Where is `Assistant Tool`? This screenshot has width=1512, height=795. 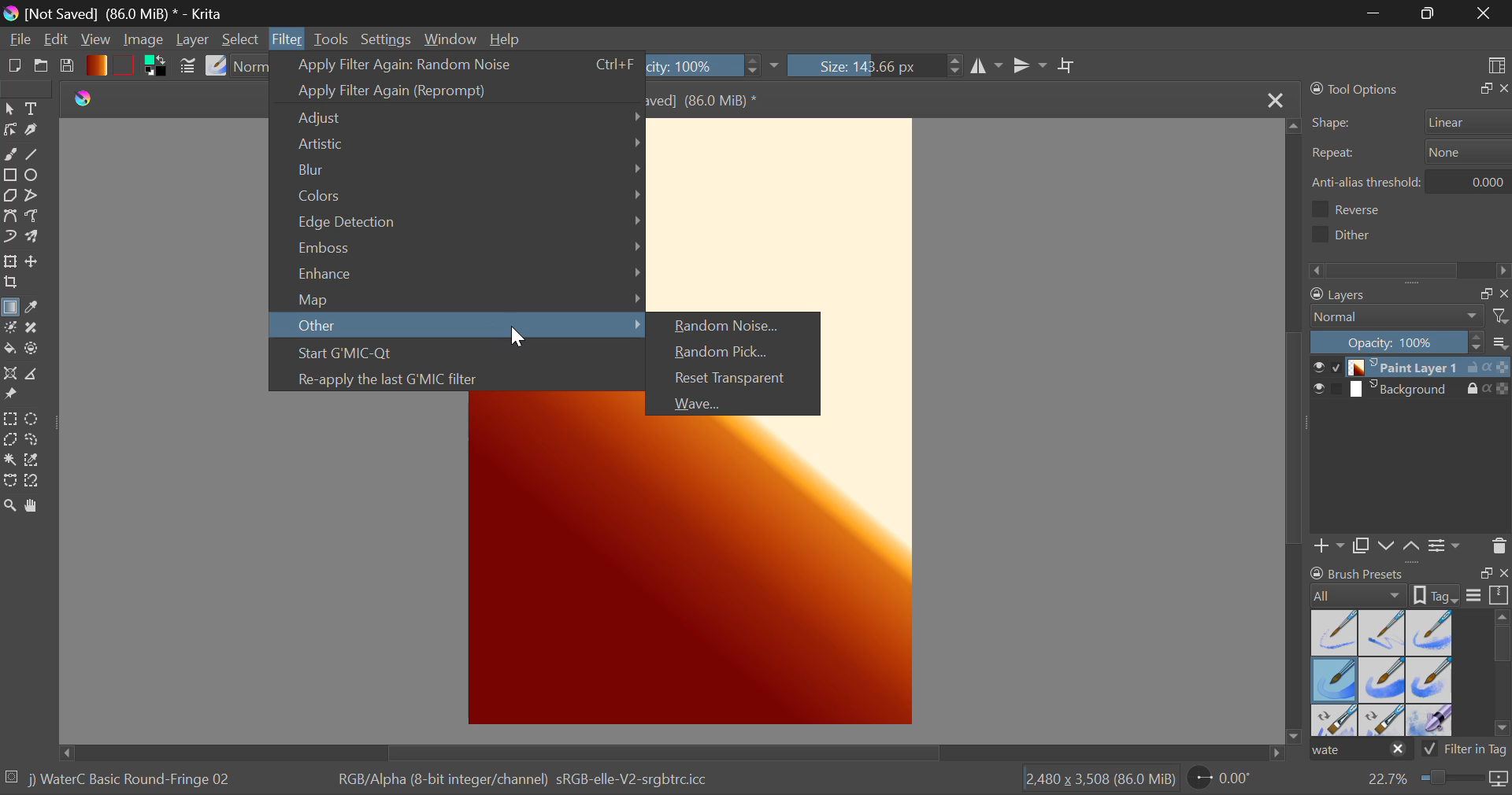 Assistant Tool is located at coordinates (11, 375).